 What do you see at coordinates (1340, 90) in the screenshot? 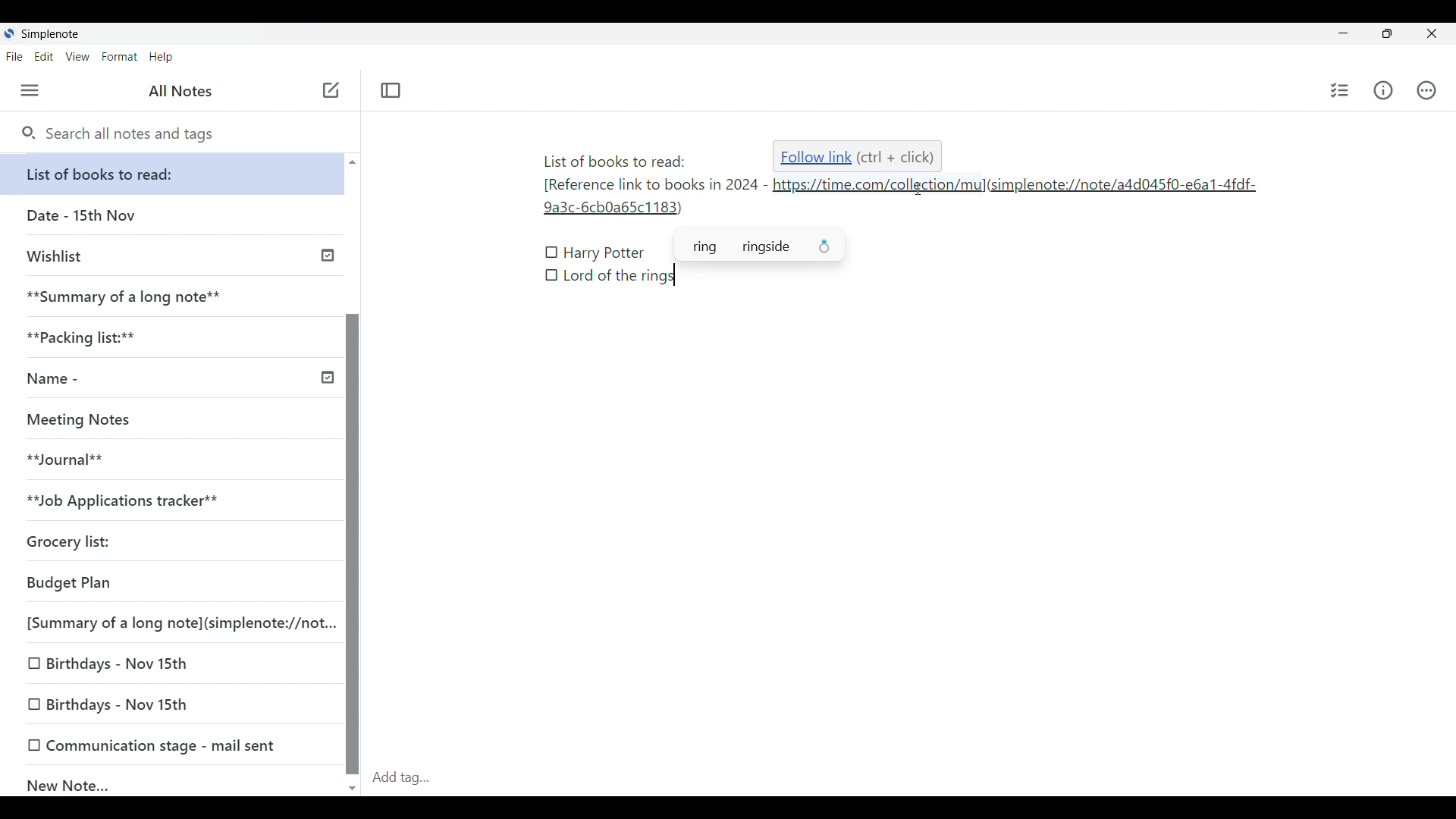
I see `Insert checklist` at bounding box center [1340, 90].